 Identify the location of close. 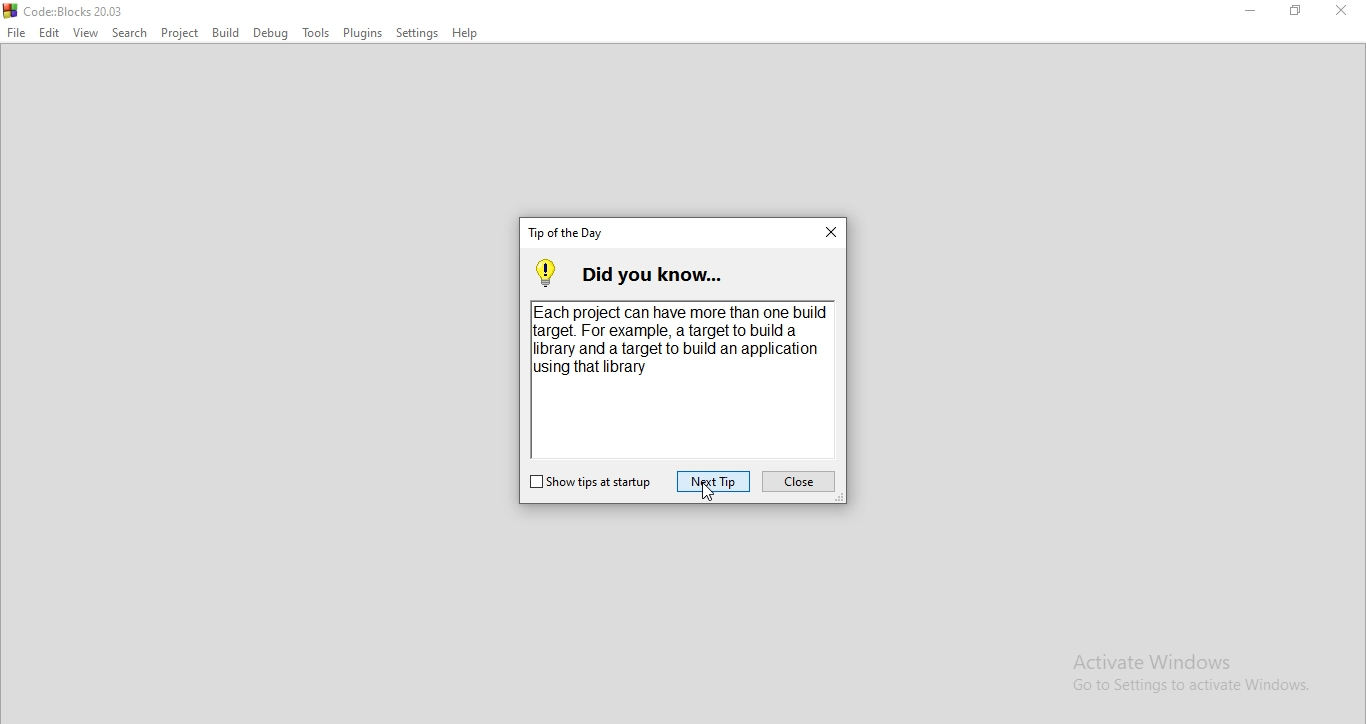
(799, 482).